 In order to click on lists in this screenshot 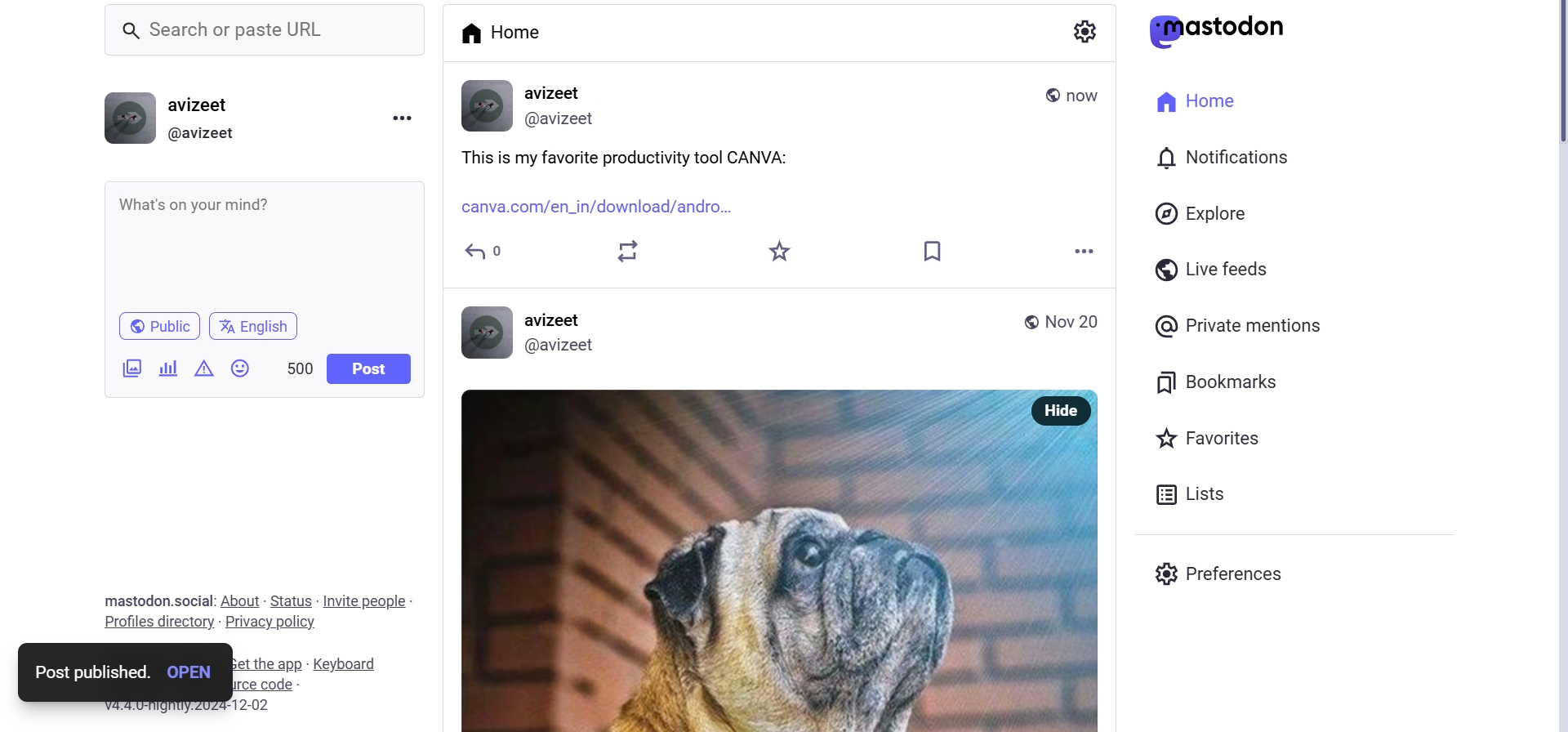, I will do `click(1220, 492)`.